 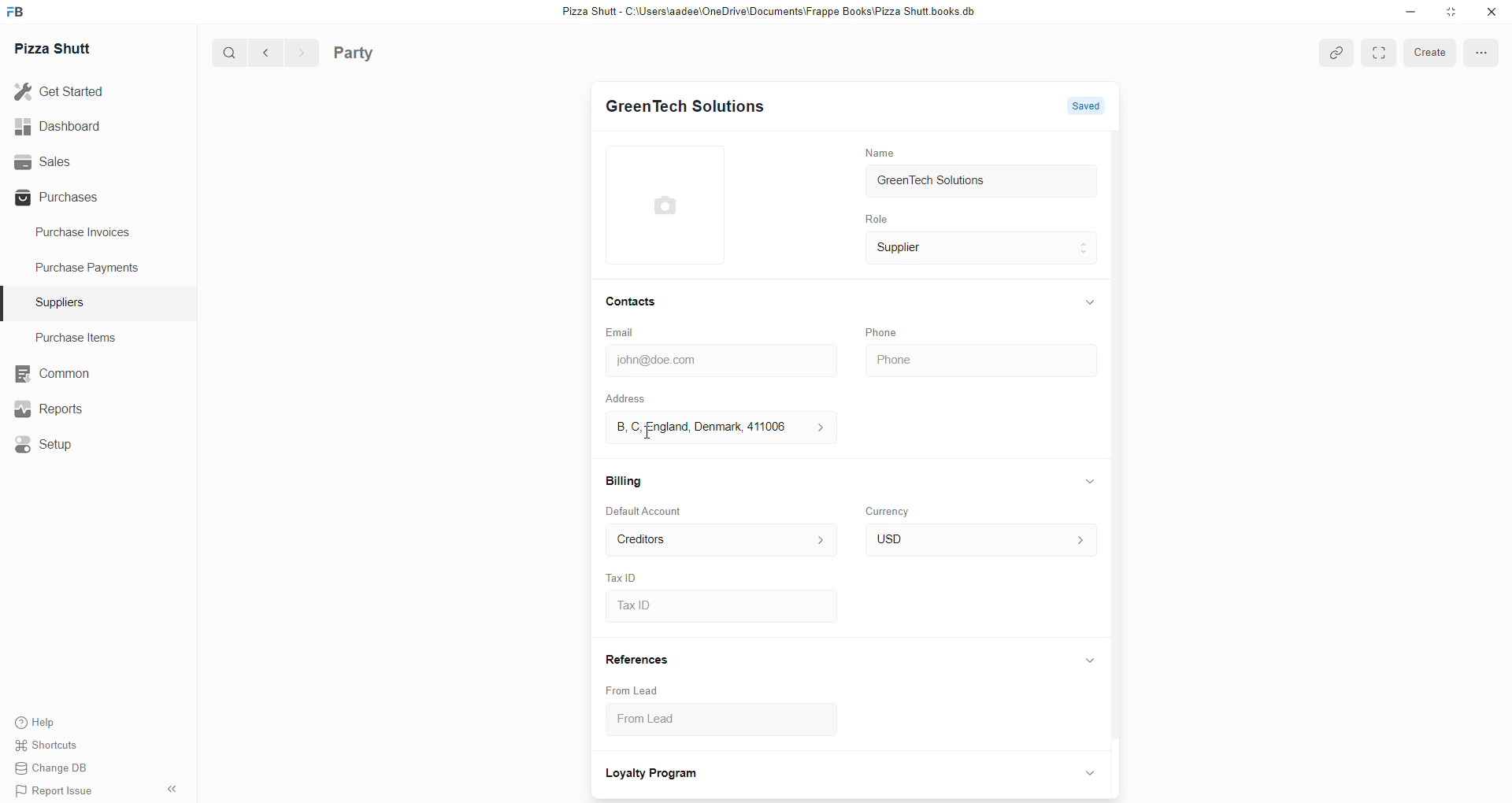 What do you see at coordinates (57, 770) in the screenshot?
I see ` Change DB` at bounding box center [57, 770].